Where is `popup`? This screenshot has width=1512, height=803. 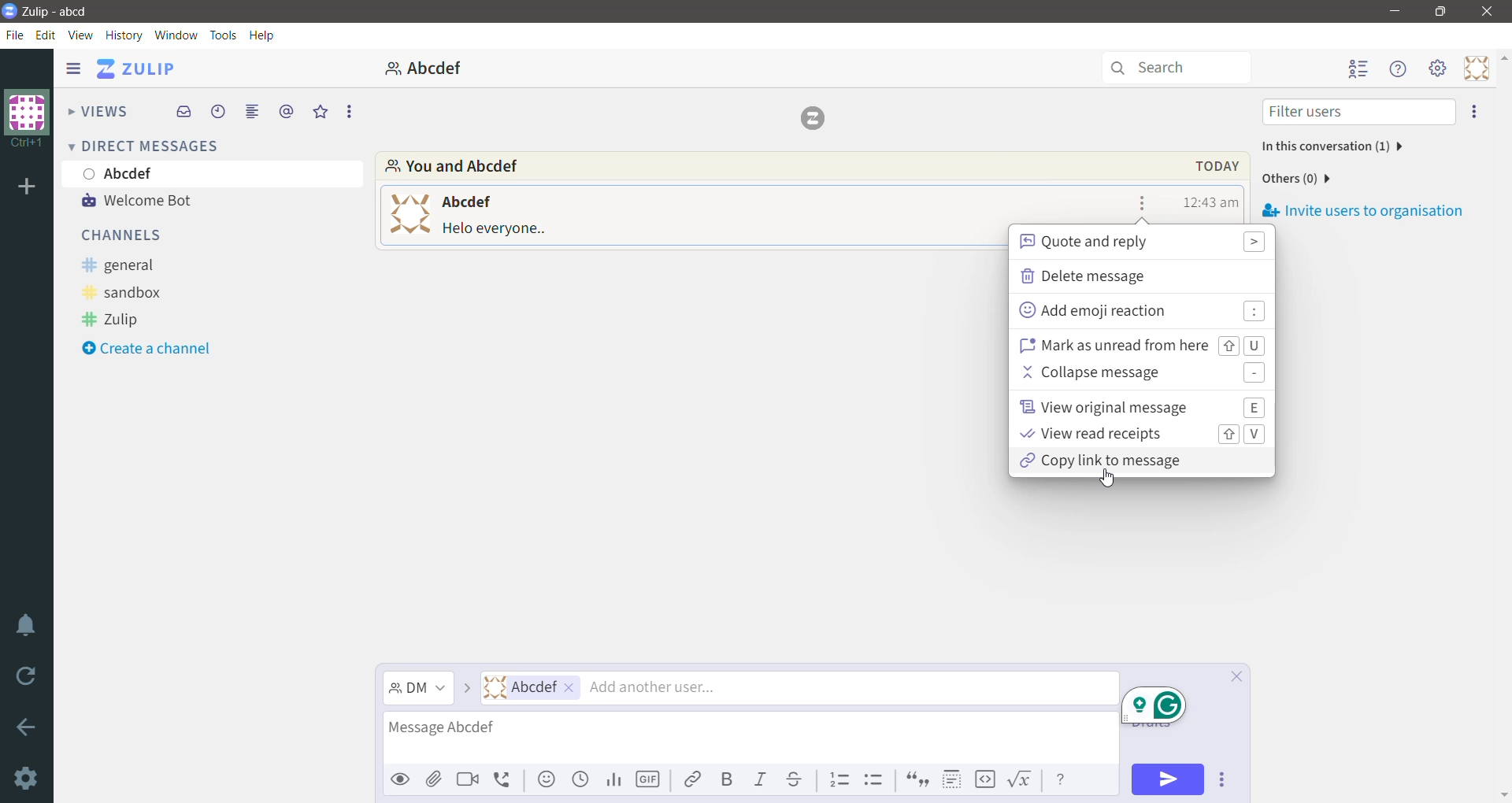
popup is located at coordinates (1150, 705).